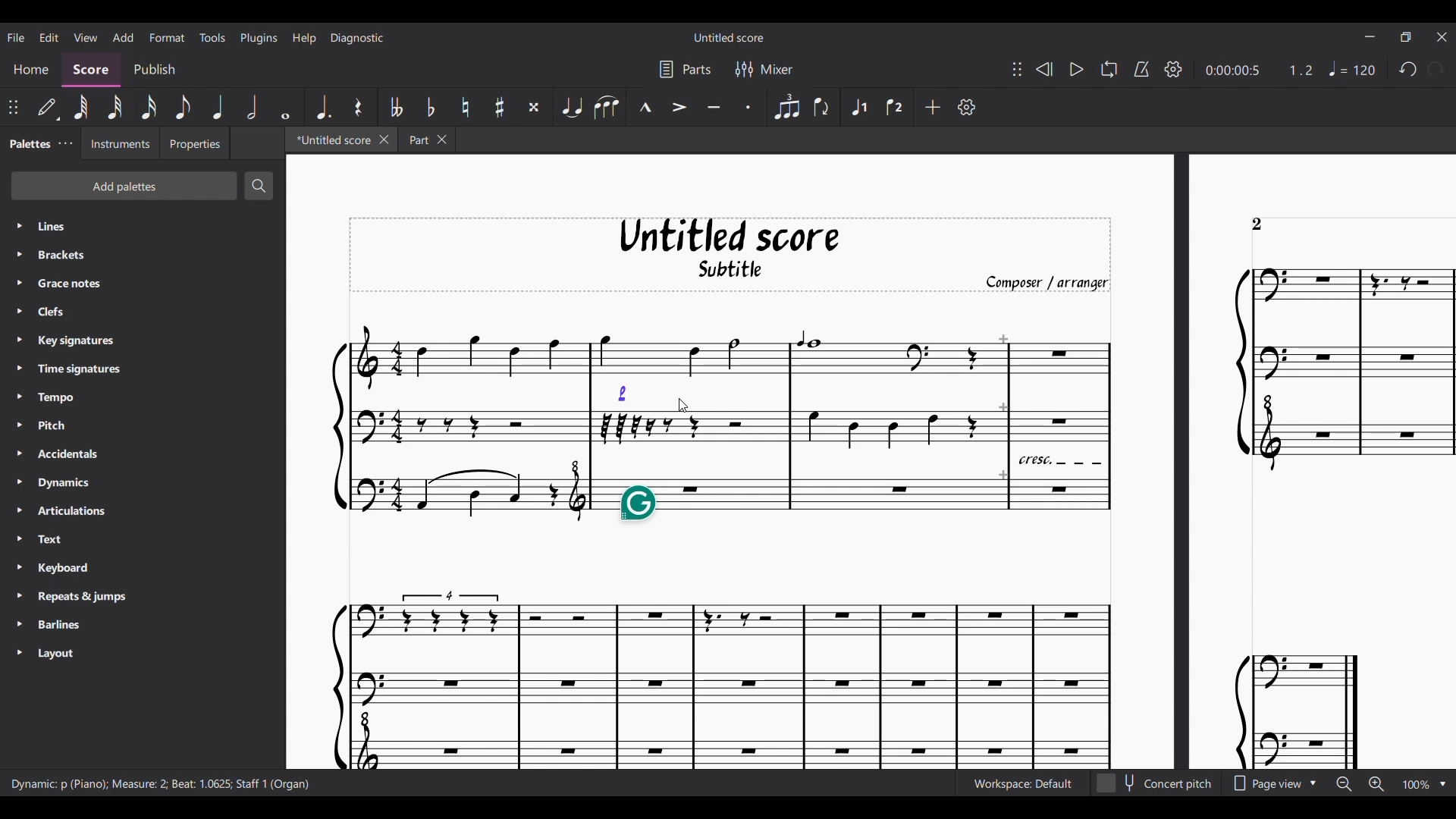 The height and width of the screenshot is (819, 1456). I want to click on Tools menu, so click(212, 37).